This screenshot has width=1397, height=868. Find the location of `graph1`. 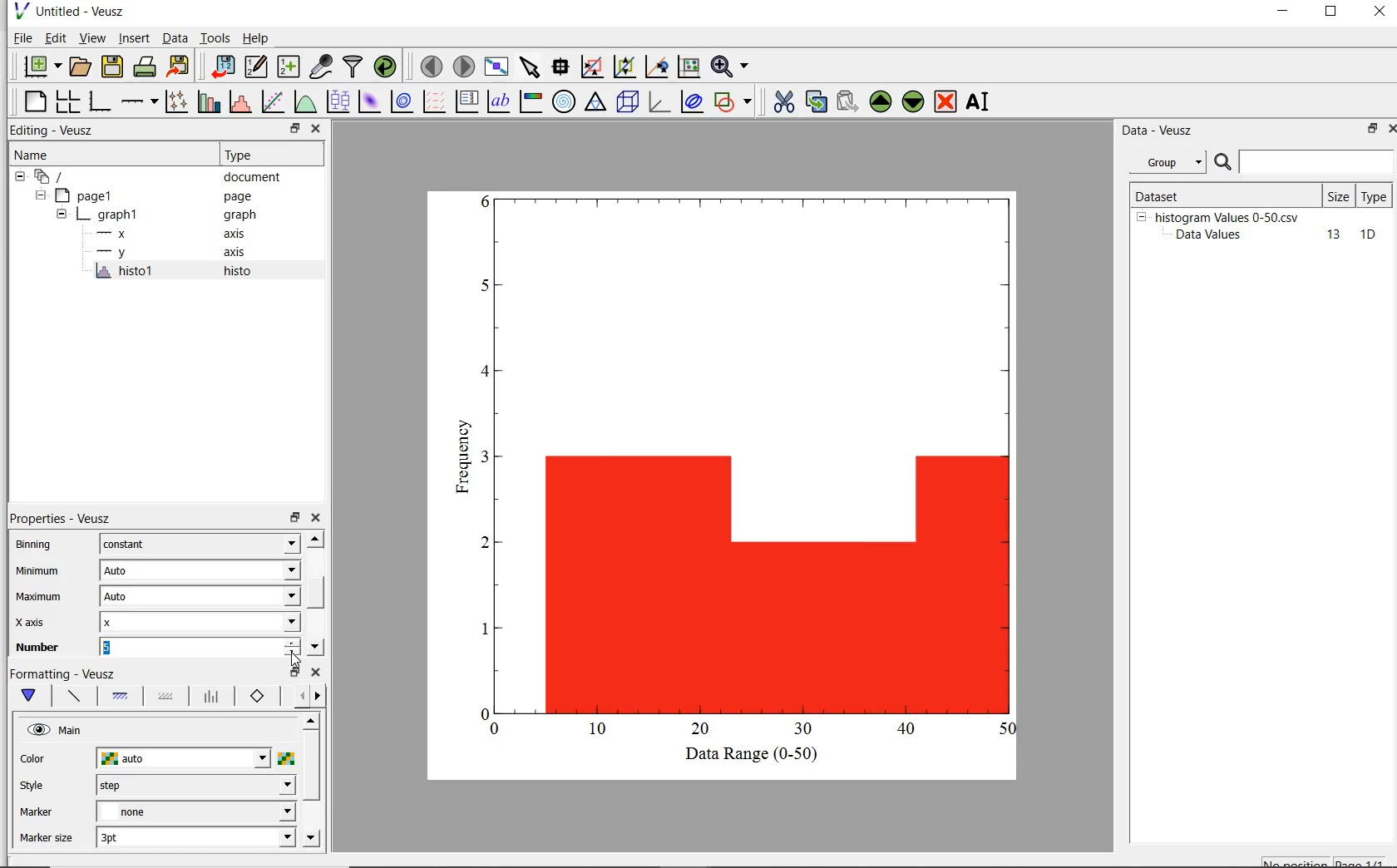

graph1 is located at coordinates (111, 217).